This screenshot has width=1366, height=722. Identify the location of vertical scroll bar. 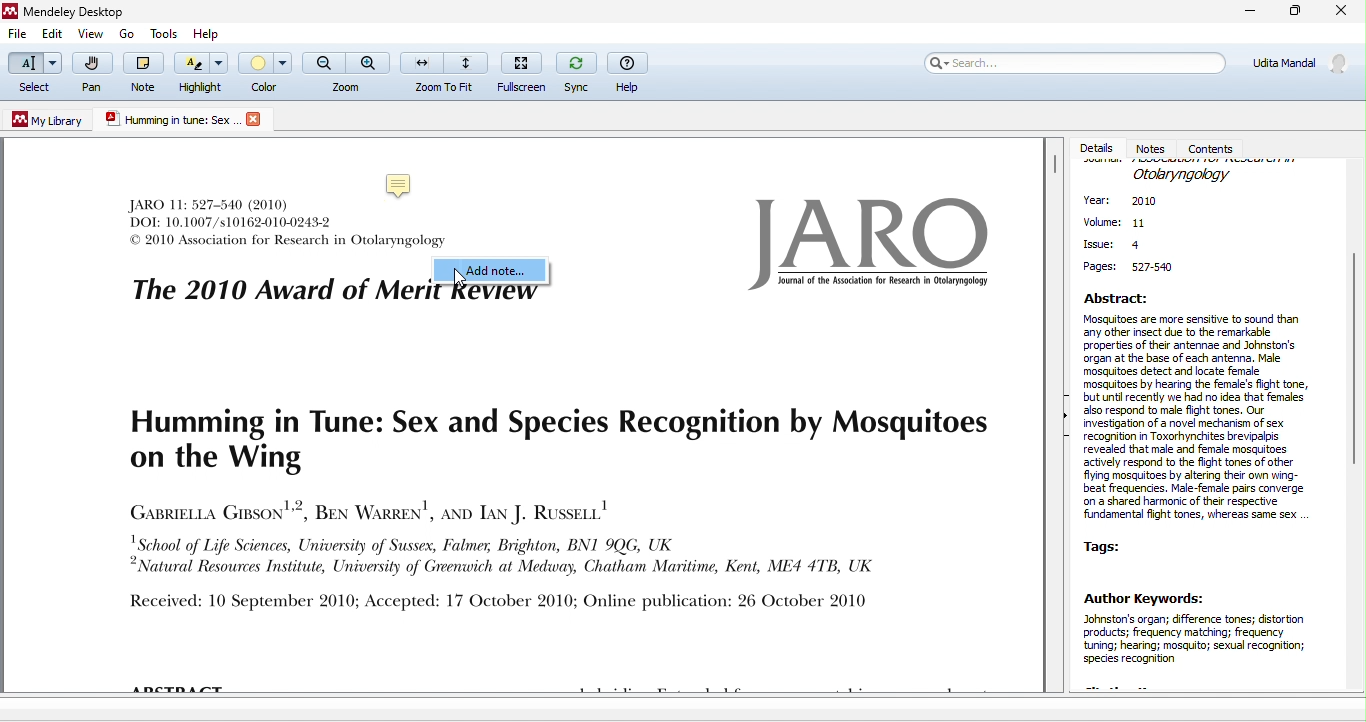
(1054, 168).